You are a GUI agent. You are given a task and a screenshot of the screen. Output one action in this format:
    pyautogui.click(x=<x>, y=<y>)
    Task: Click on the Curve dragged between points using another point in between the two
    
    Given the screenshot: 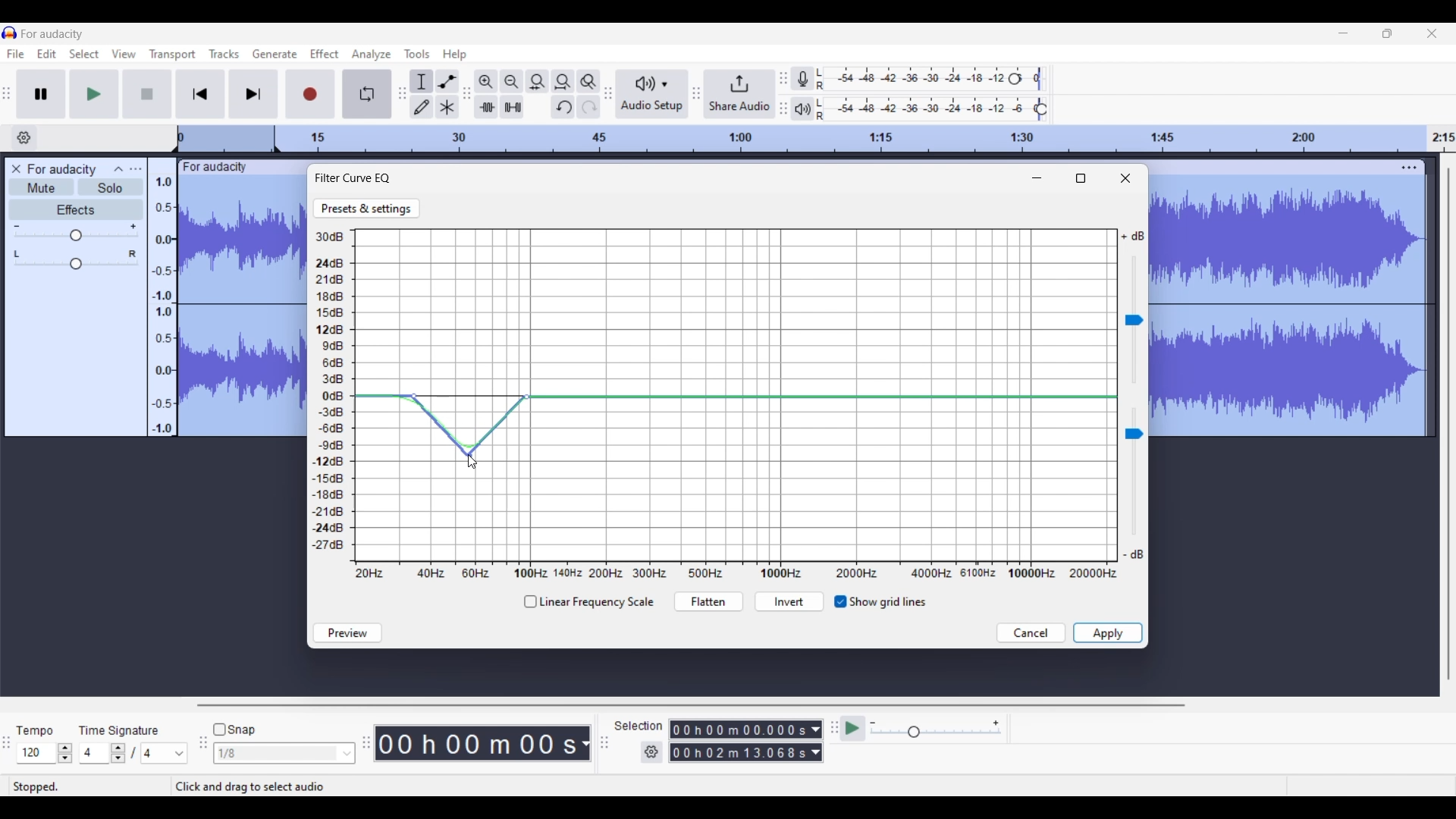 What is the action you would take?
    pyautogui.click(x=470, y=425)
    